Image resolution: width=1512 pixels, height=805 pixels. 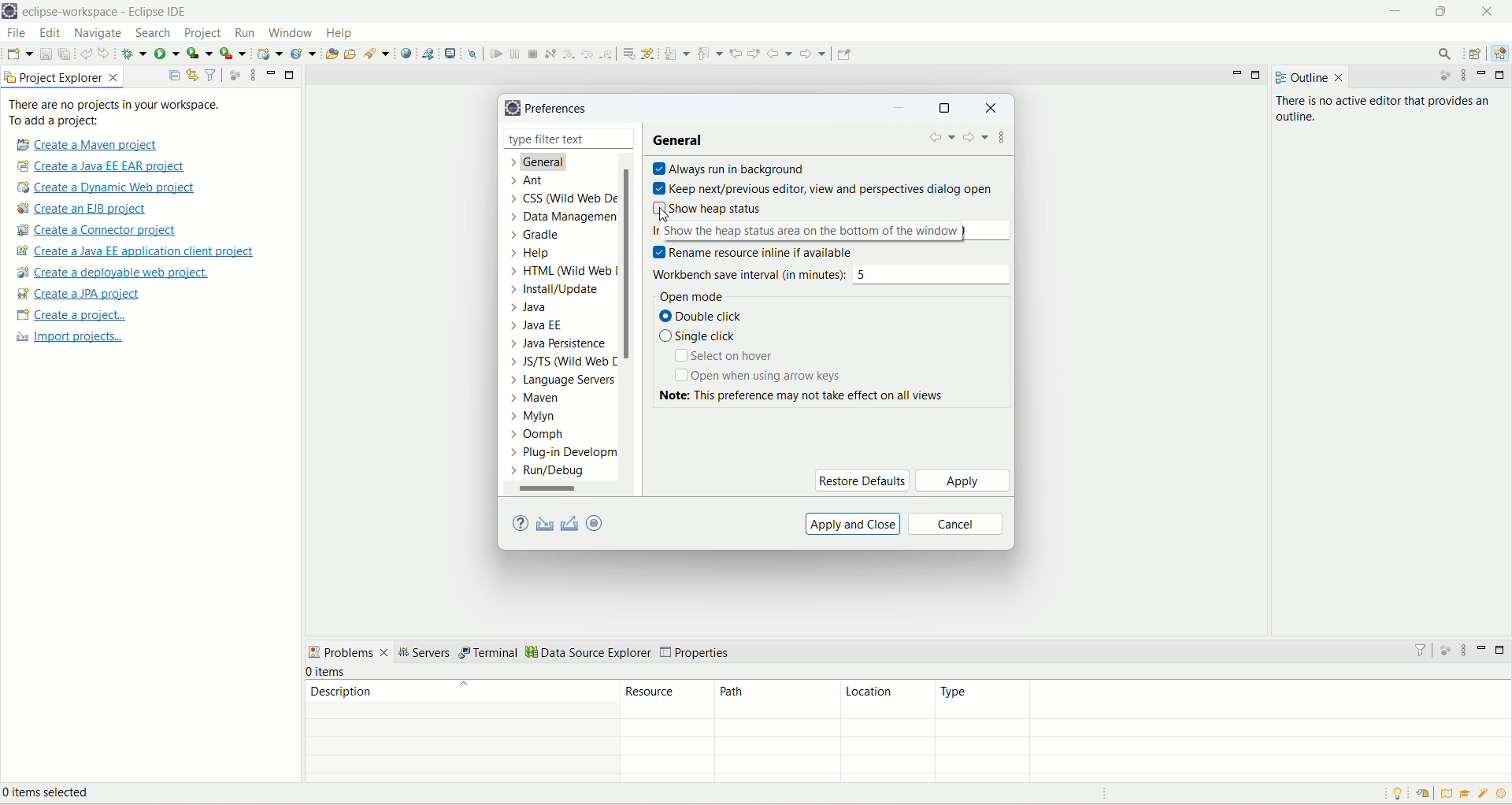 I want to click on resume, so click(x=495, y=54).